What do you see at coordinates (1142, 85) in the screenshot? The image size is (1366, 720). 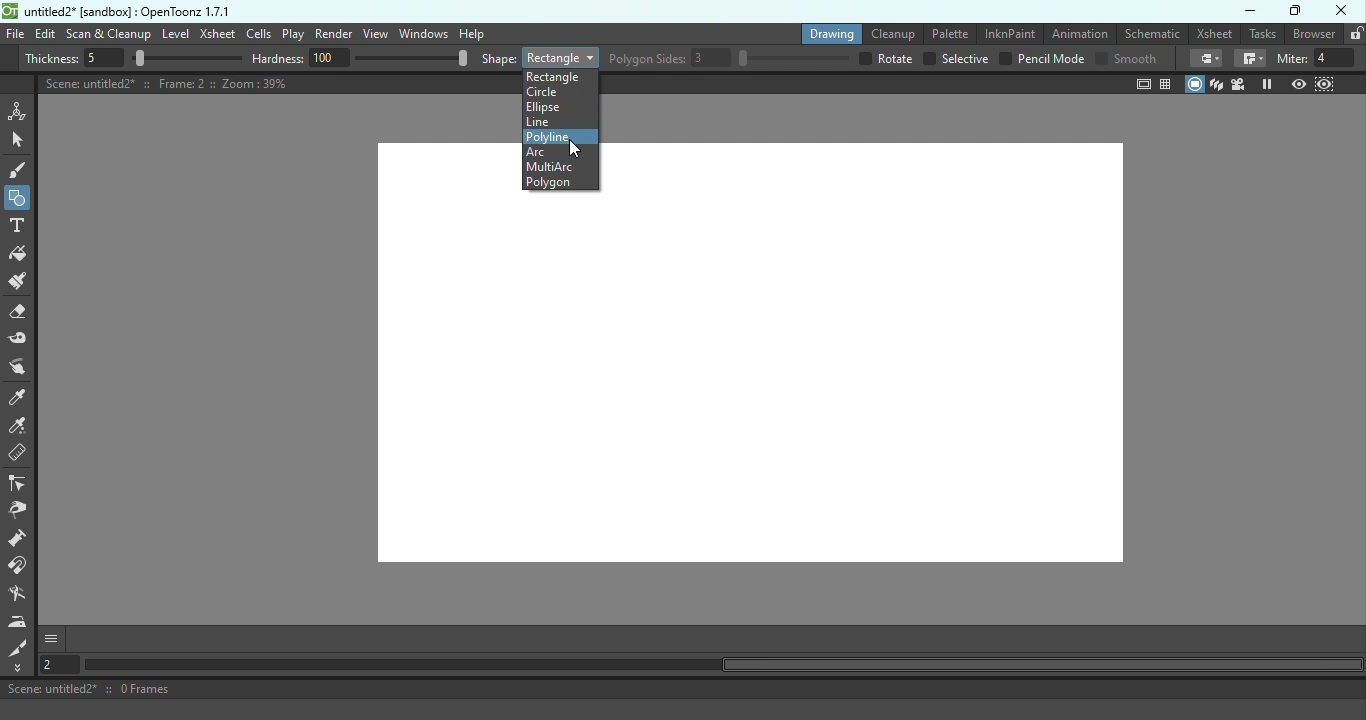 I see `Safe area` at bounding box center [1142, 85].